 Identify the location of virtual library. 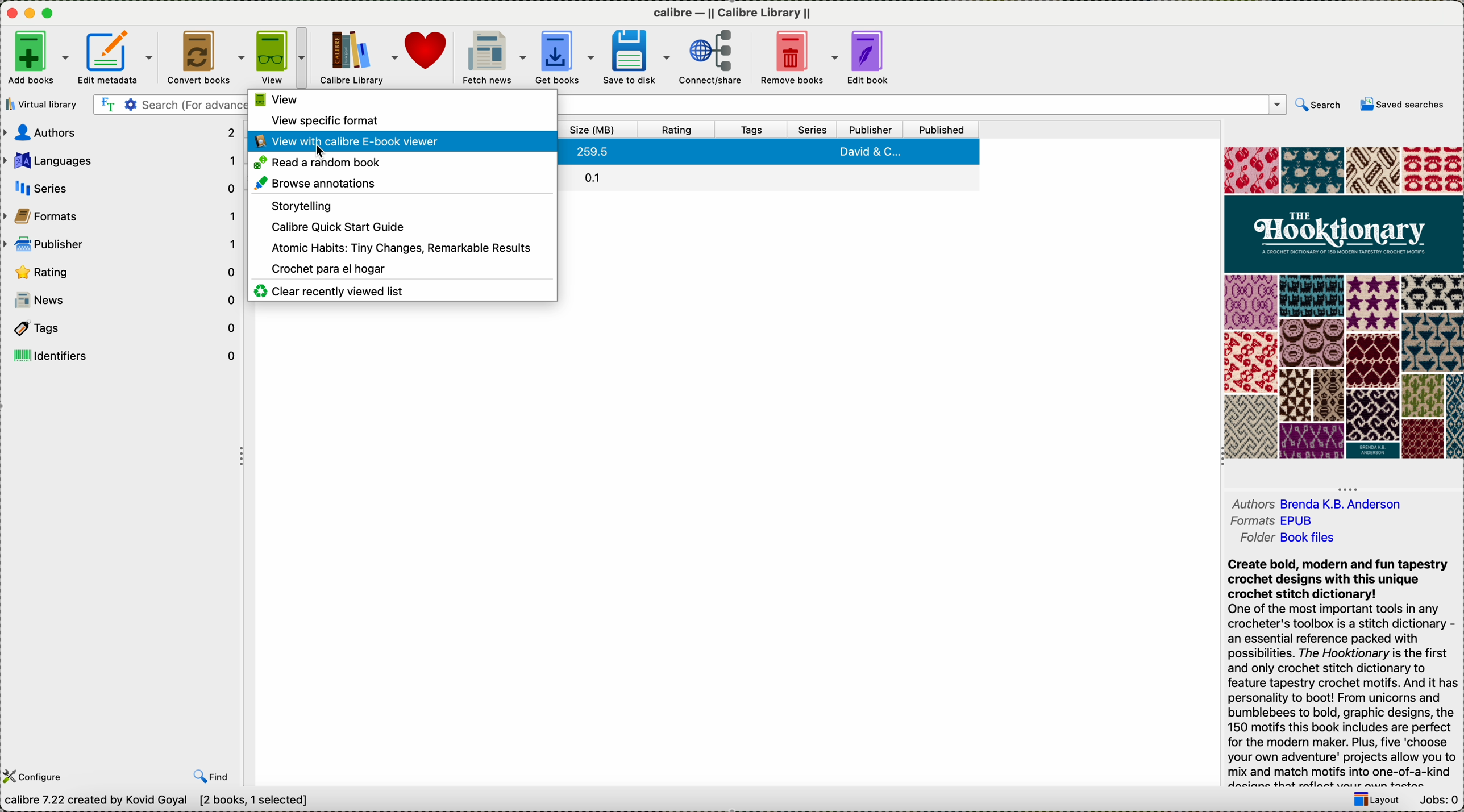
(45, 105).